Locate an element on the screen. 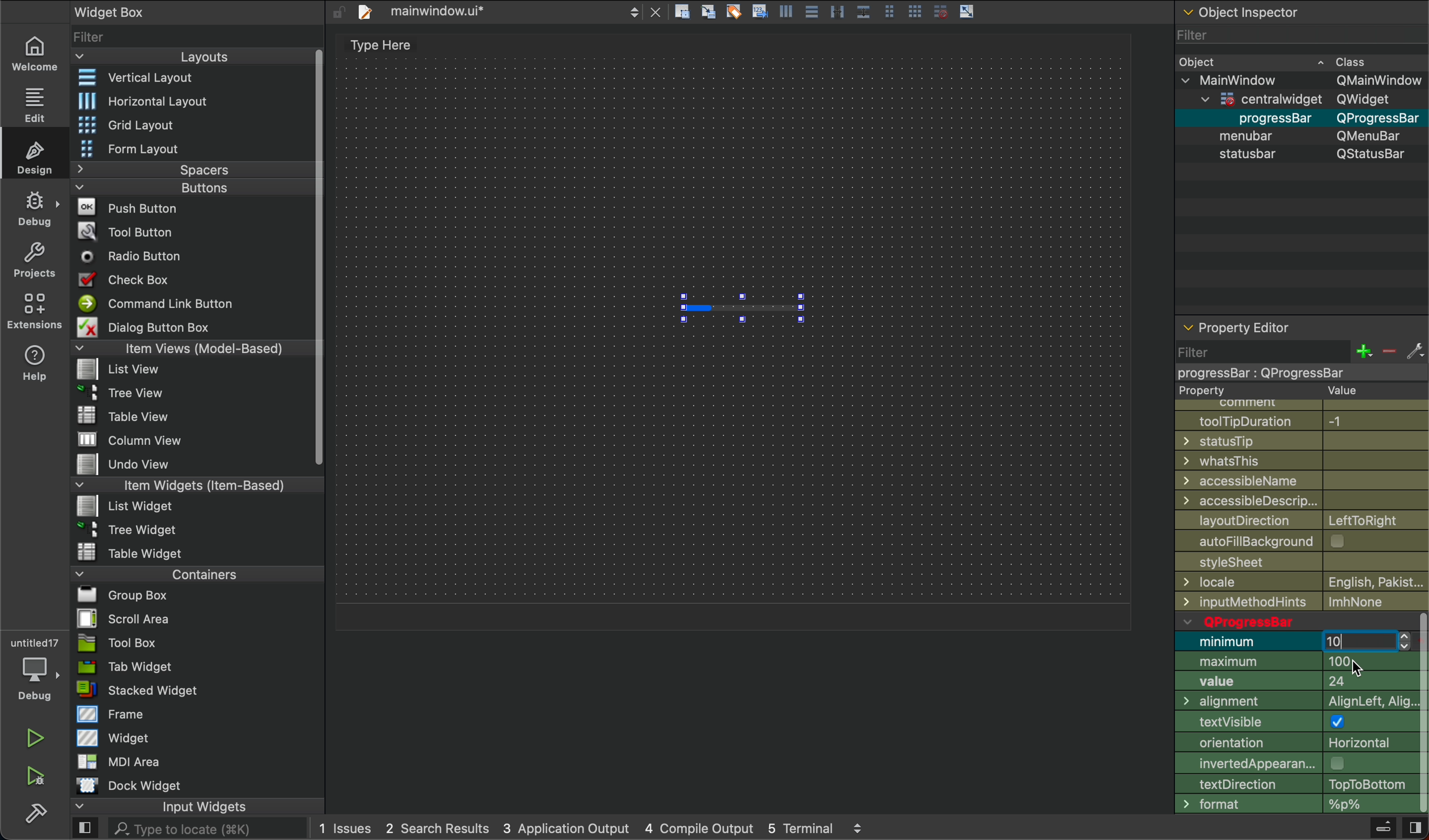  Layout is located at coordinates (183, 57).